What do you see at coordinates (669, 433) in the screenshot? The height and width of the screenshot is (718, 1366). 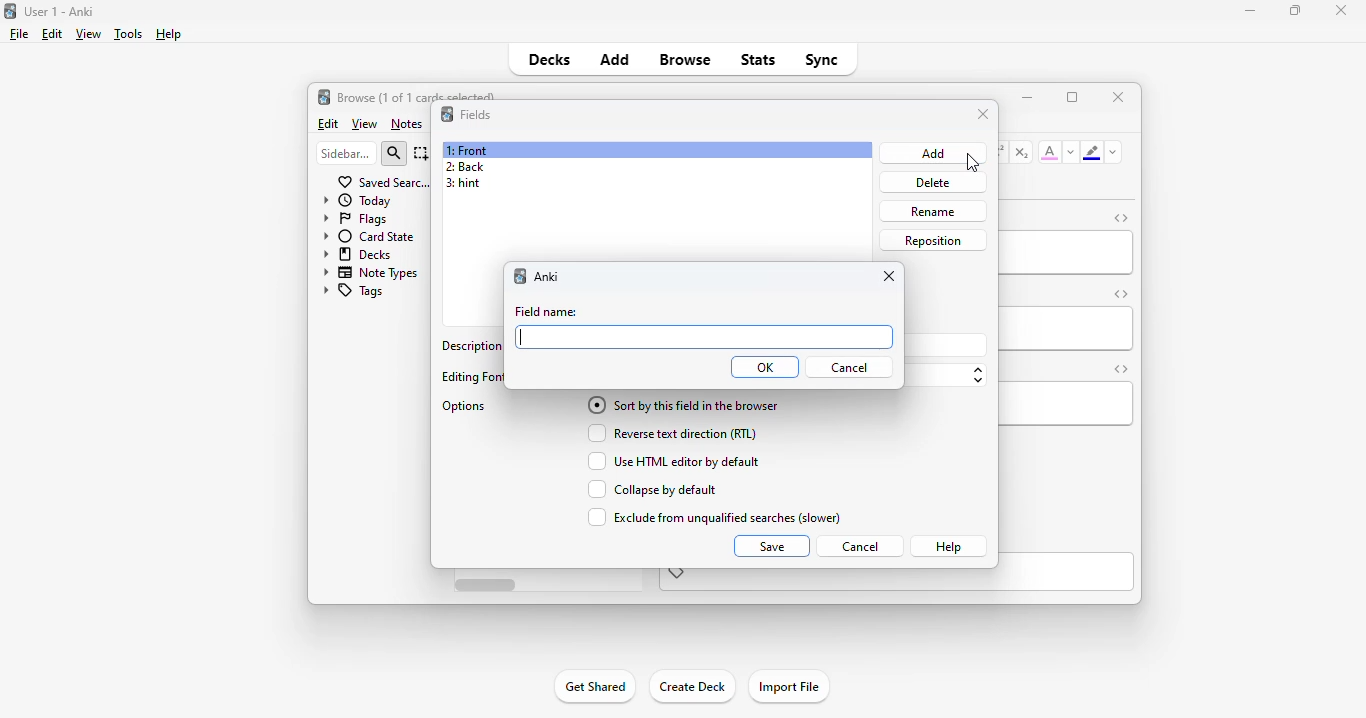 I see `reverse text direction` at bounding box center [669, 433].